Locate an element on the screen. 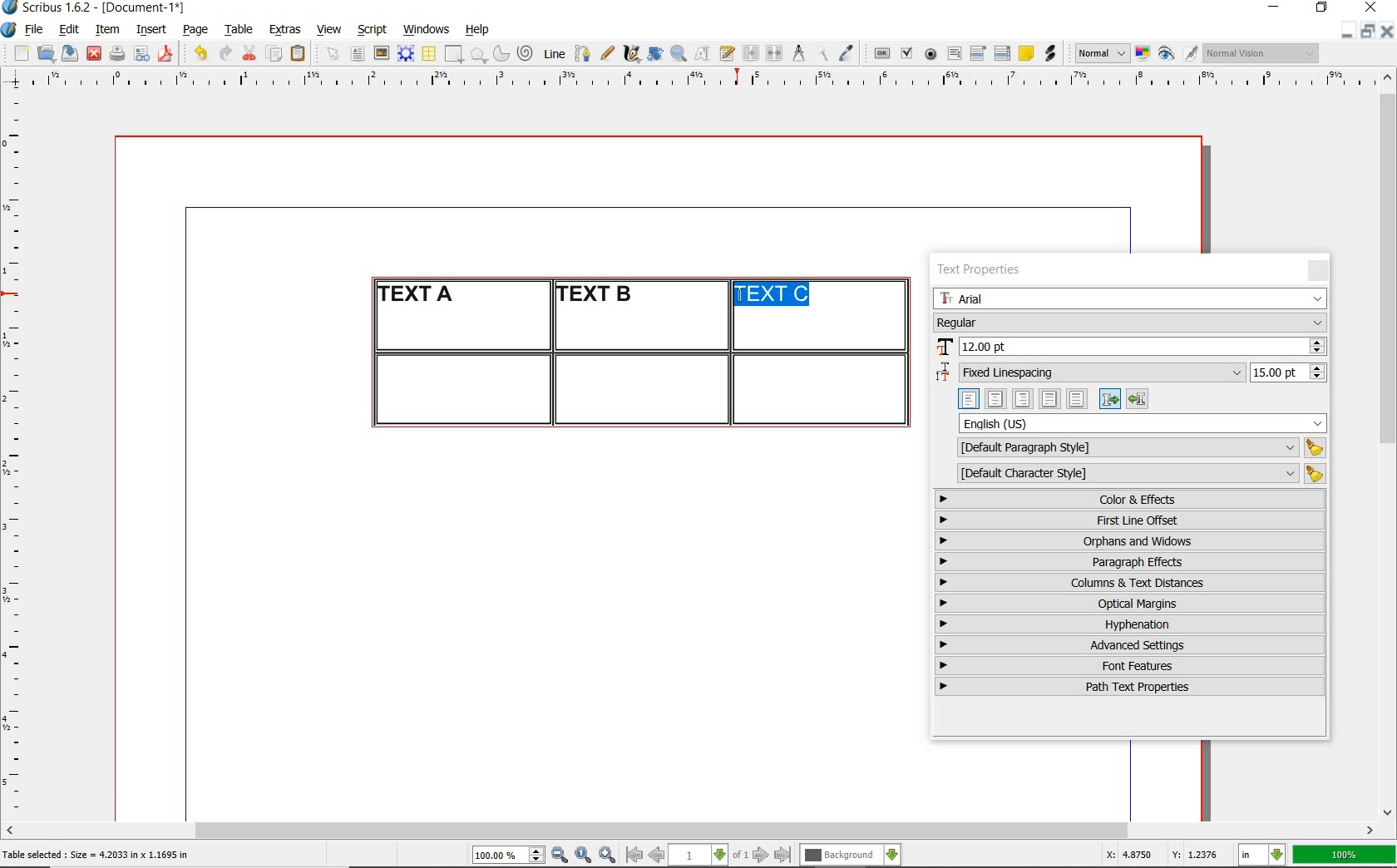 This screenshot has width=1397, height=868. toggle color management is located at coordinates (1144, 55).